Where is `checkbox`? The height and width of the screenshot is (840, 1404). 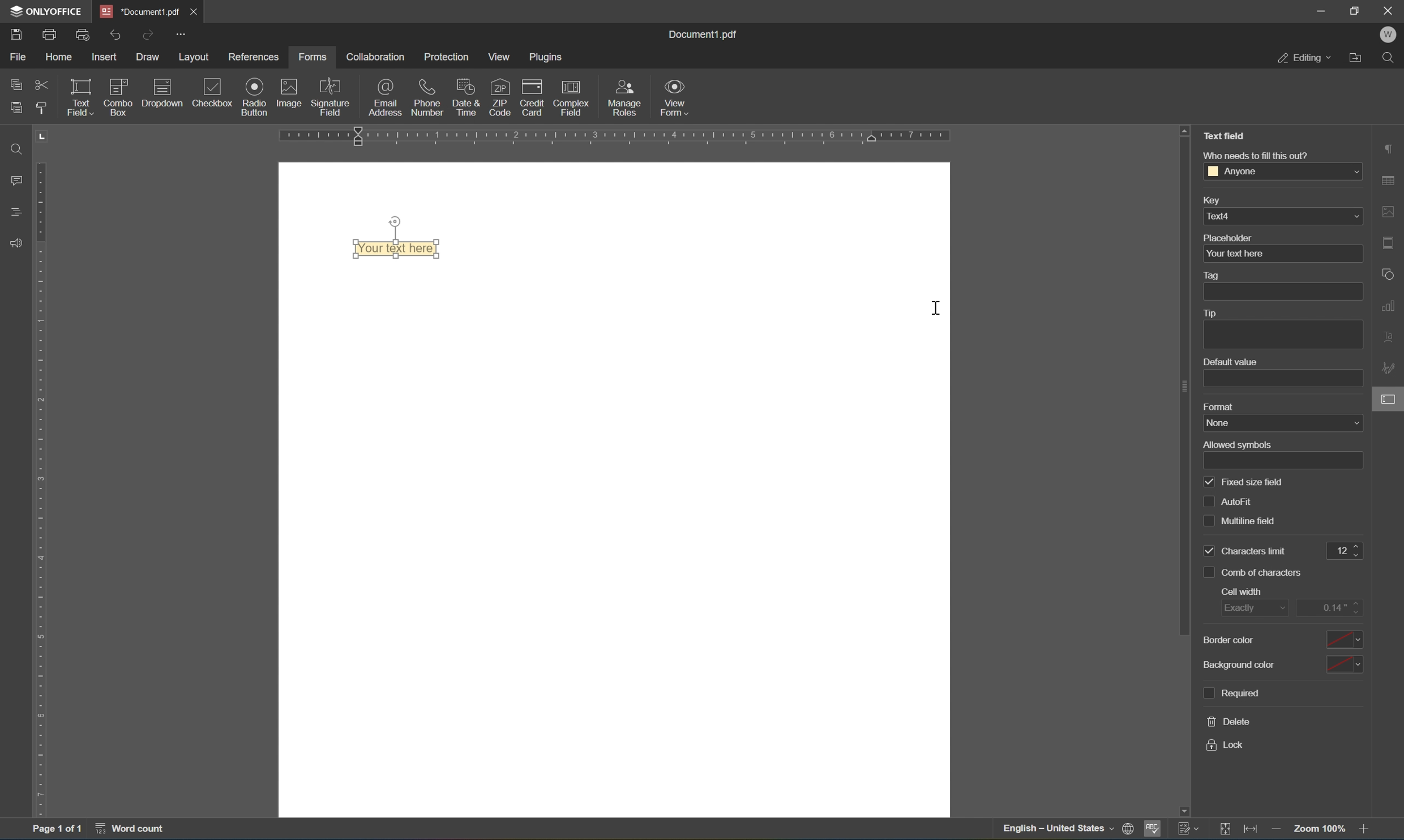
checkbox is located at coordinates (1206, 569).